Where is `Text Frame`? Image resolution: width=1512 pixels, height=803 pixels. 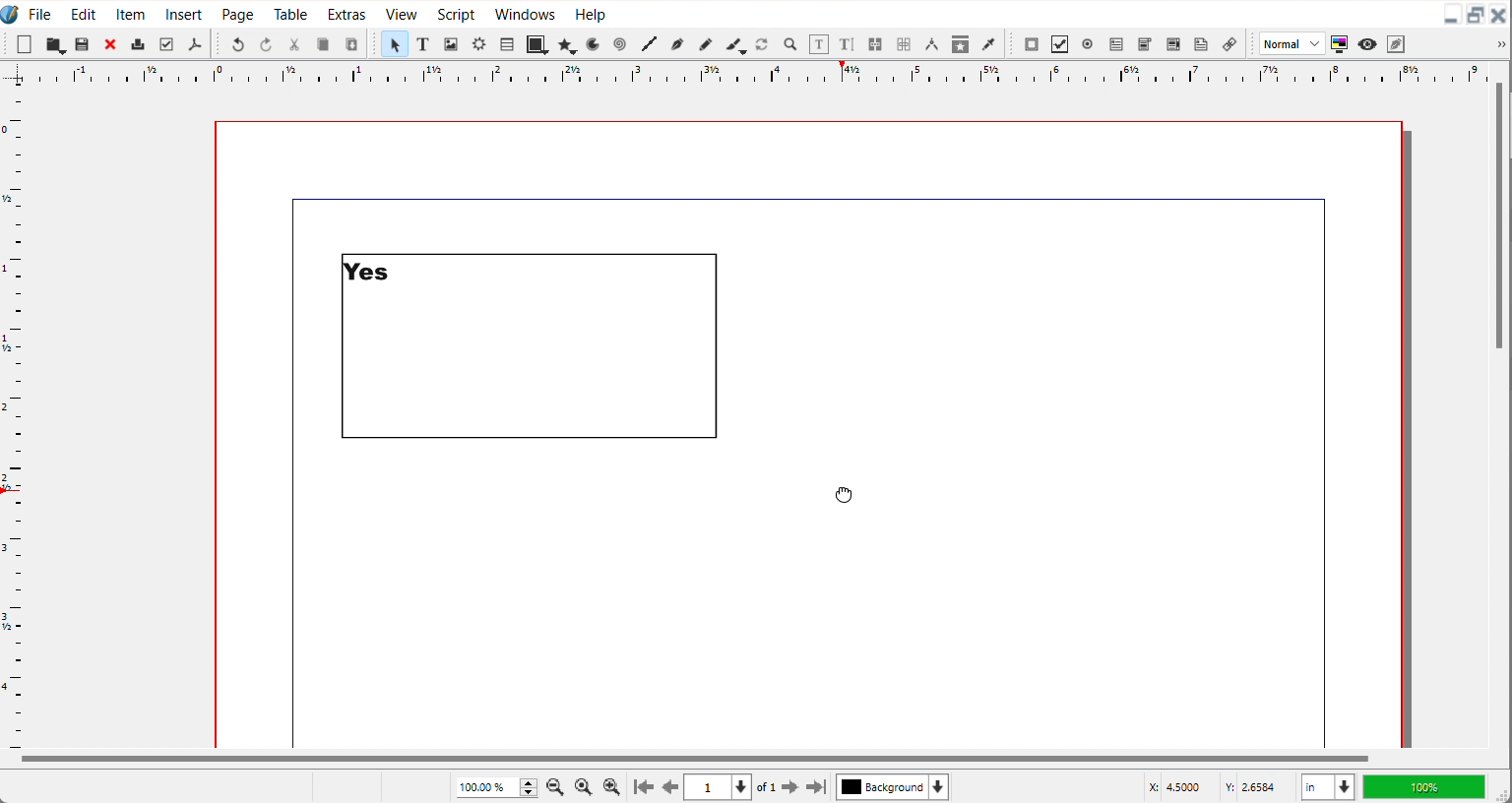
Text Frame is located at coordinates (423, 43).